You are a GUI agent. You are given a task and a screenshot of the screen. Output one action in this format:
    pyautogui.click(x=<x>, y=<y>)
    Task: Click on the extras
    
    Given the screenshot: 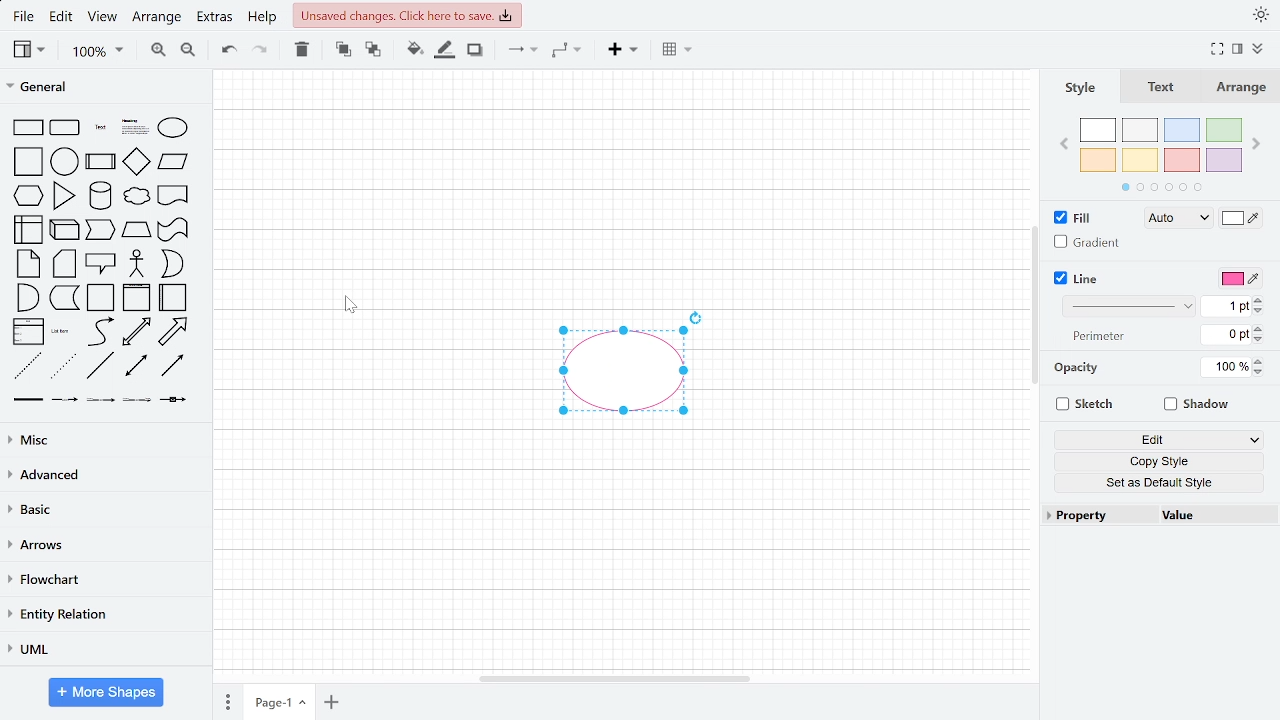 What is the action you would take?
    pyautogui.click(x=215, y=20)
    